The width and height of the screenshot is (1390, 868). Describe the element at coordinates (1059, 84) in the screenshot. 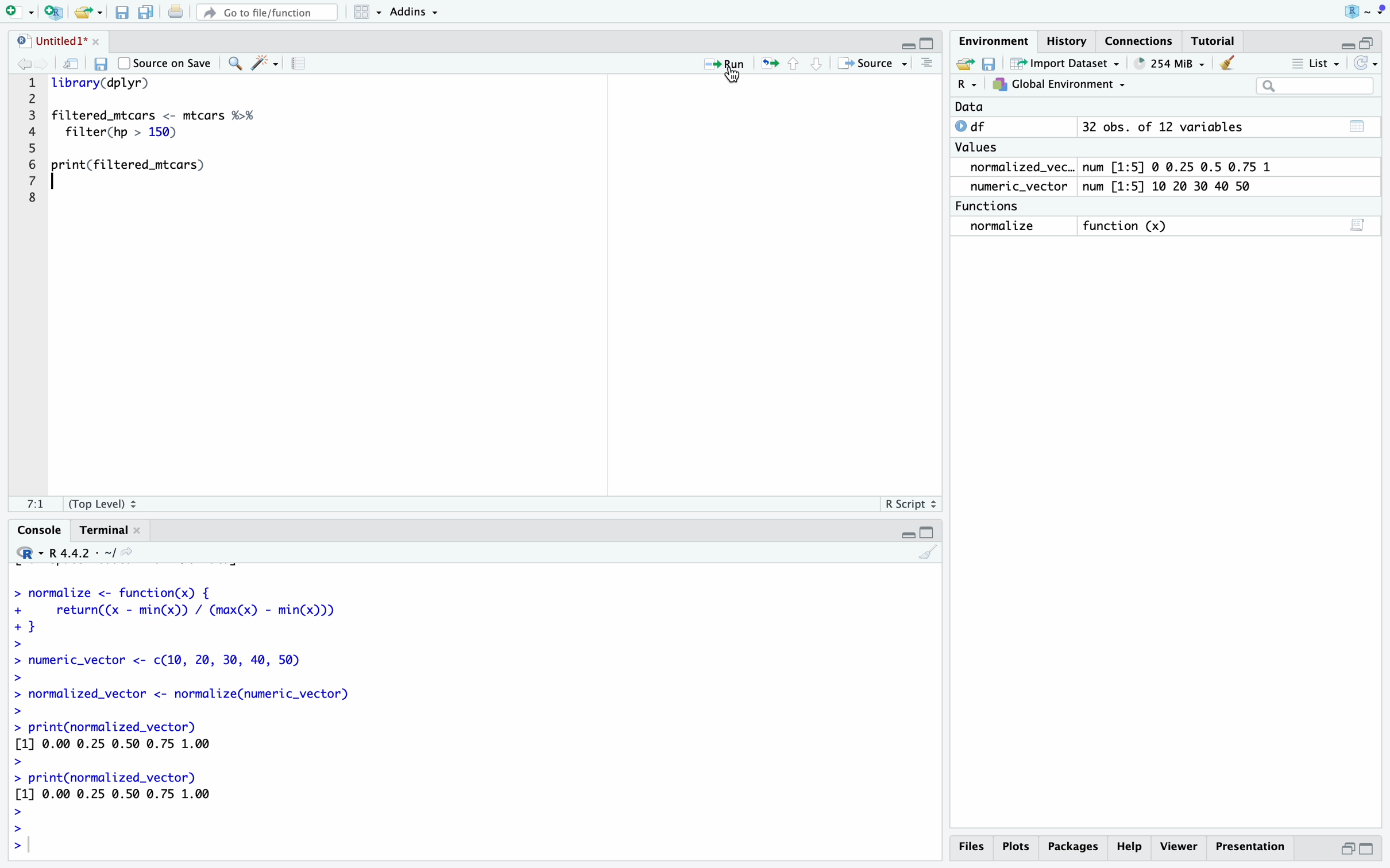

I see `Global Environment` at that location.